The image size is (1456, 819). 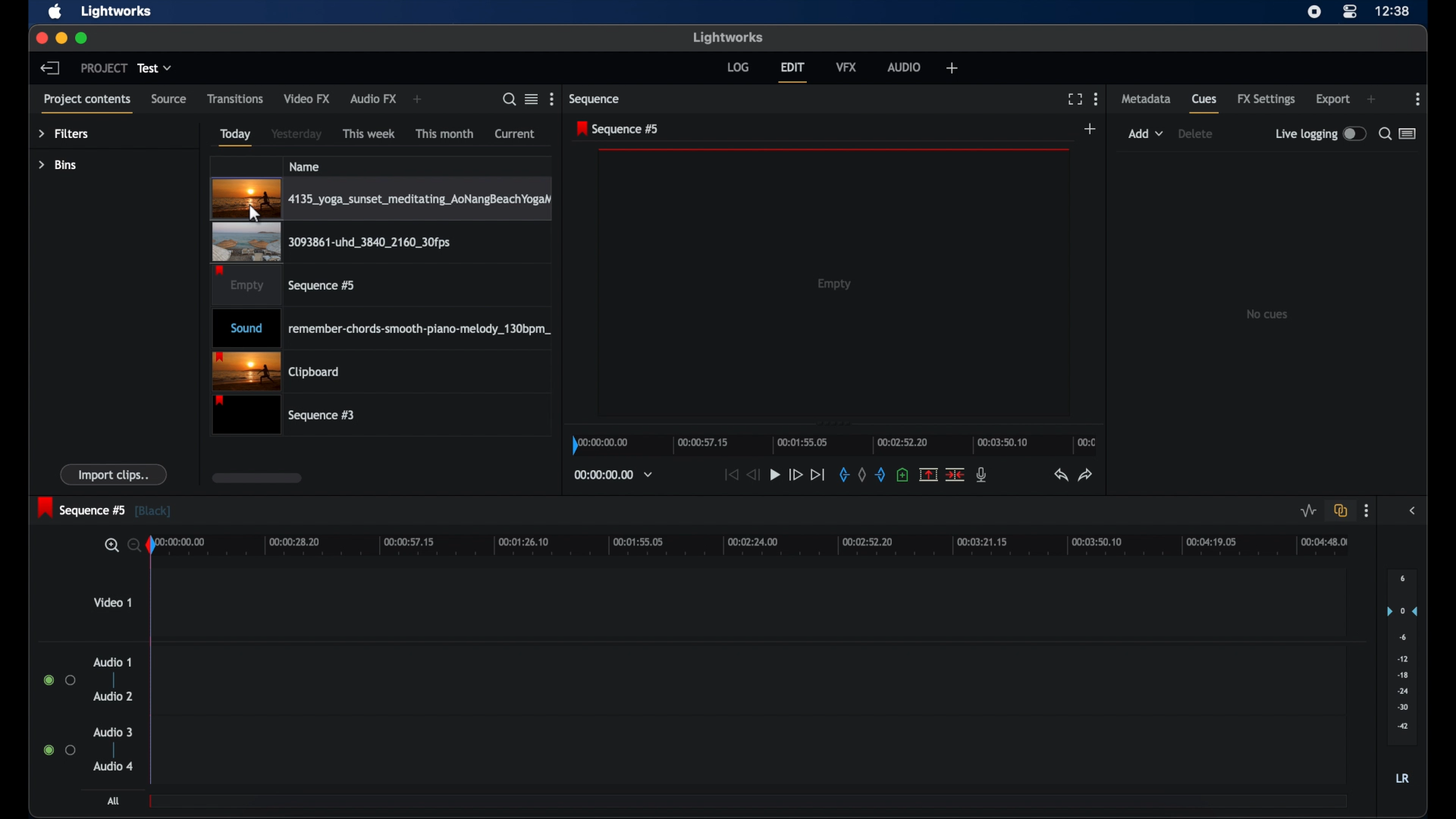 I want to click on fast forward, so click(x=795, y=475).